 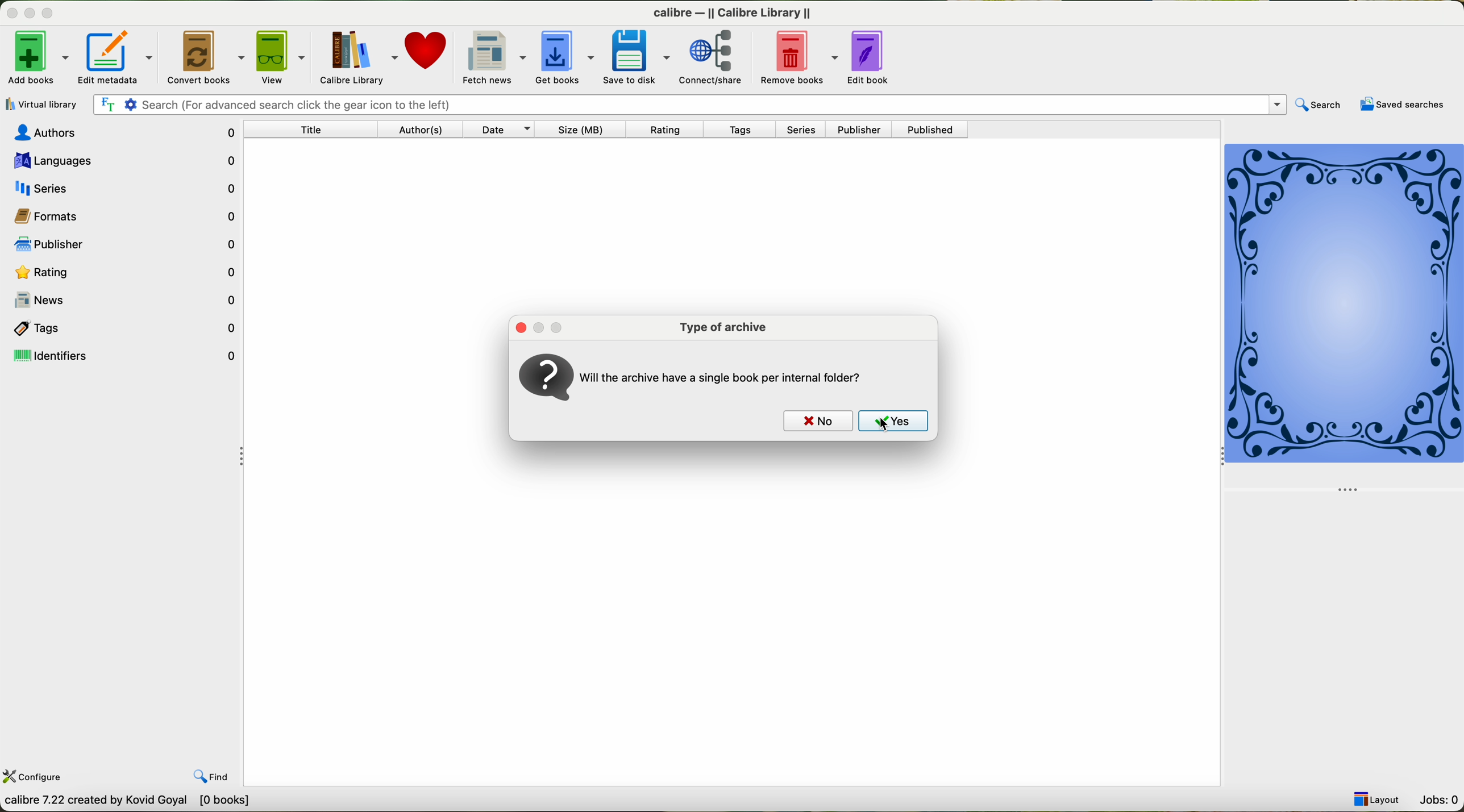 What do you see at coordinates (34, 778) in the screenshot?
I see `configure` at bounding box center [34, 778].